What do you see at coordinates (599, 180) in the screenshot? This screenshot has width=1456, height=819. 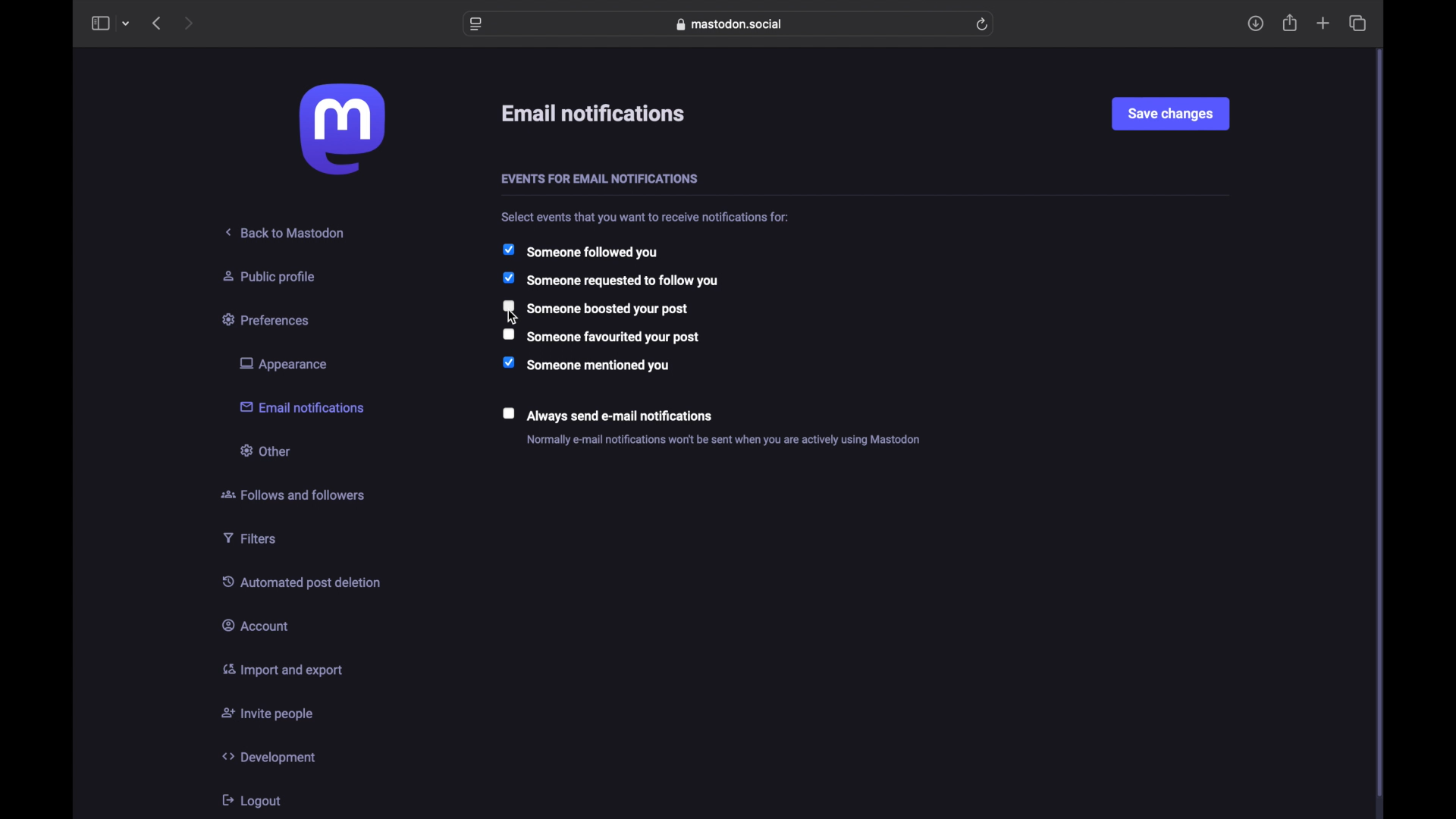 I see `events for  email notifications` at bounding box center [599, 180].